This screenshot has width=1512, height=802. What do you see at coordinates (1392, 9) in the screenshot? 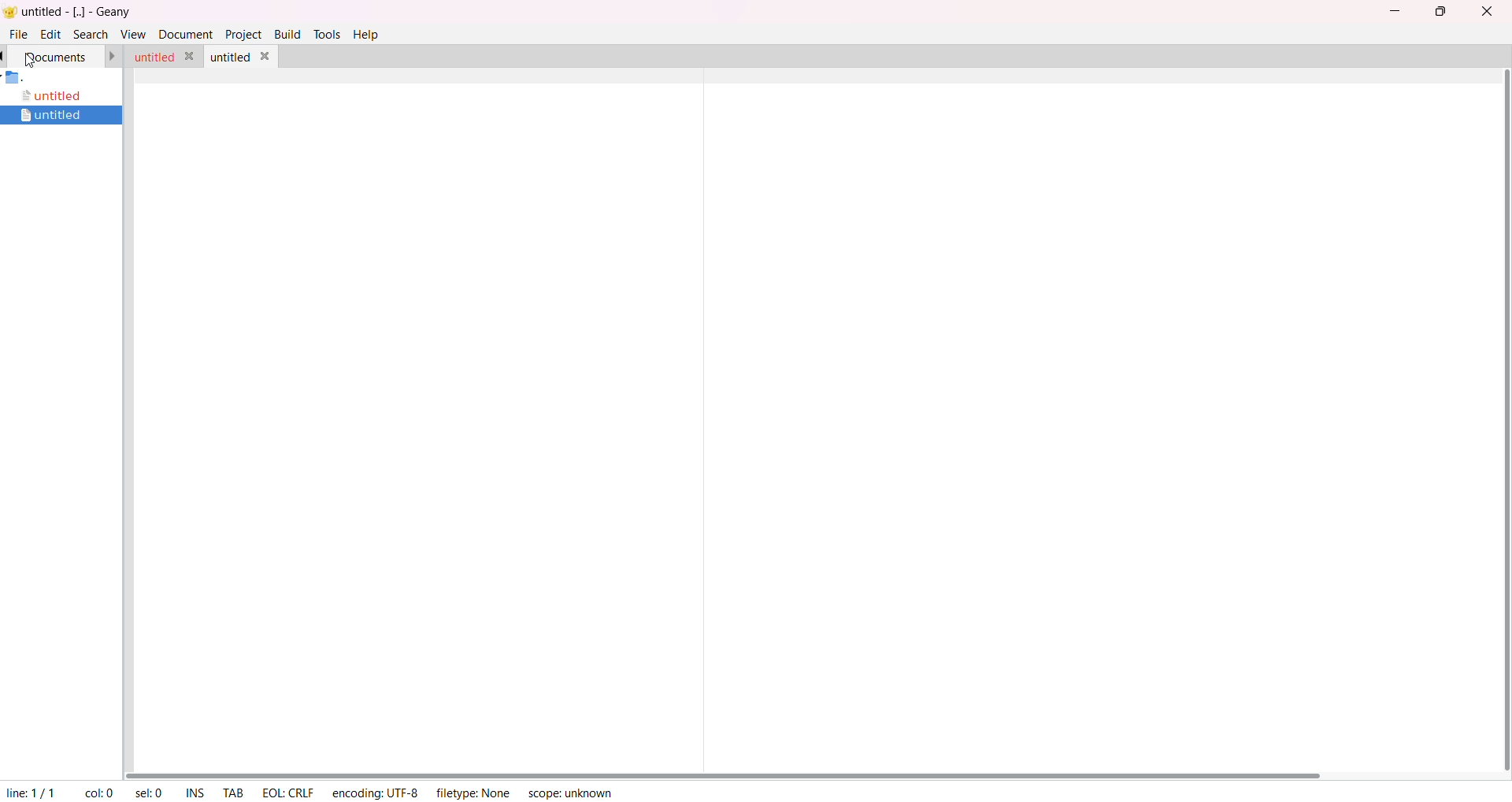
I see `minimize` at bounding box center [1392, 9].